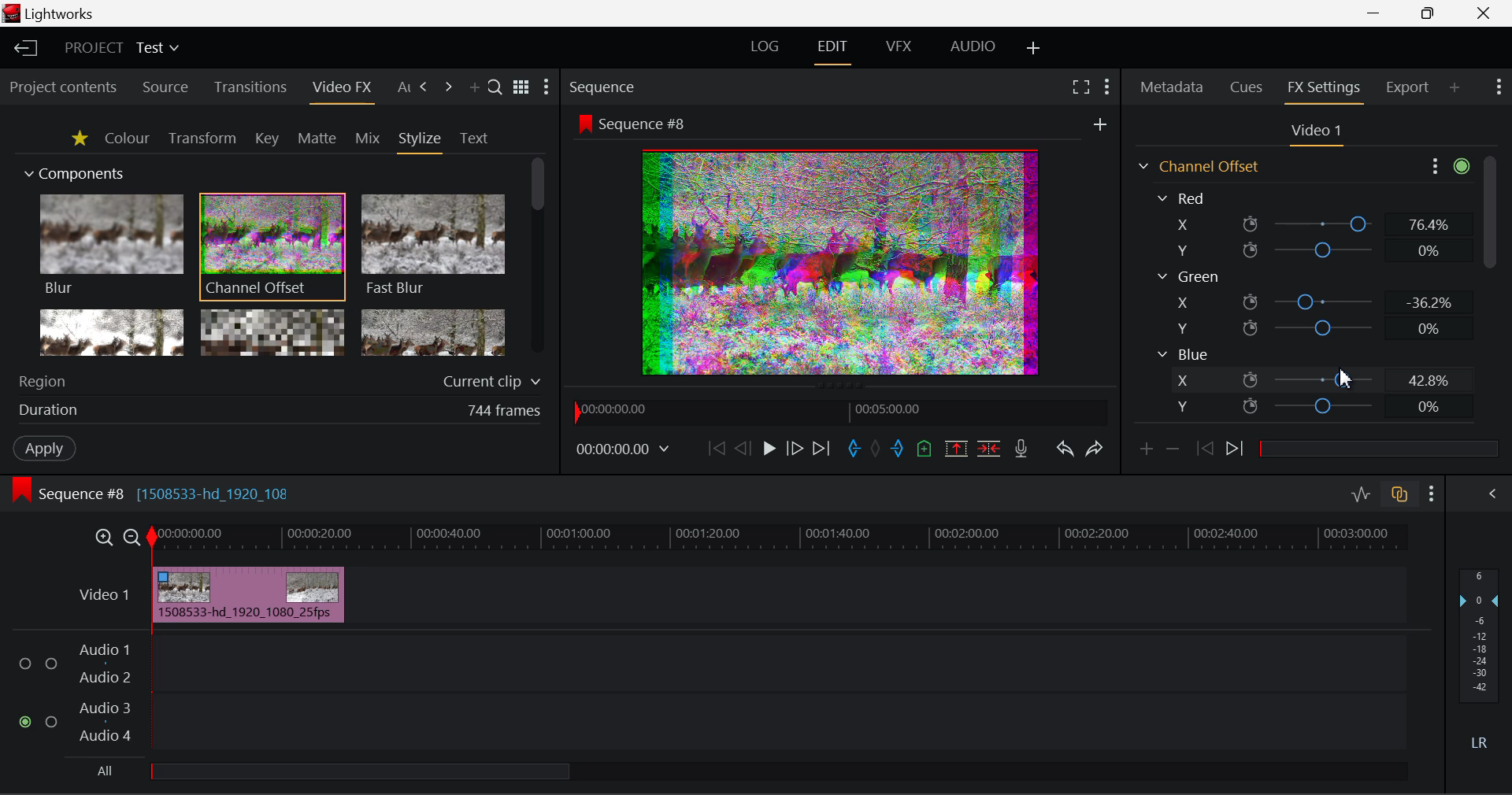  Describe the element at coordinates (126, 138) in the screenshot. I see `Colour` at that location.